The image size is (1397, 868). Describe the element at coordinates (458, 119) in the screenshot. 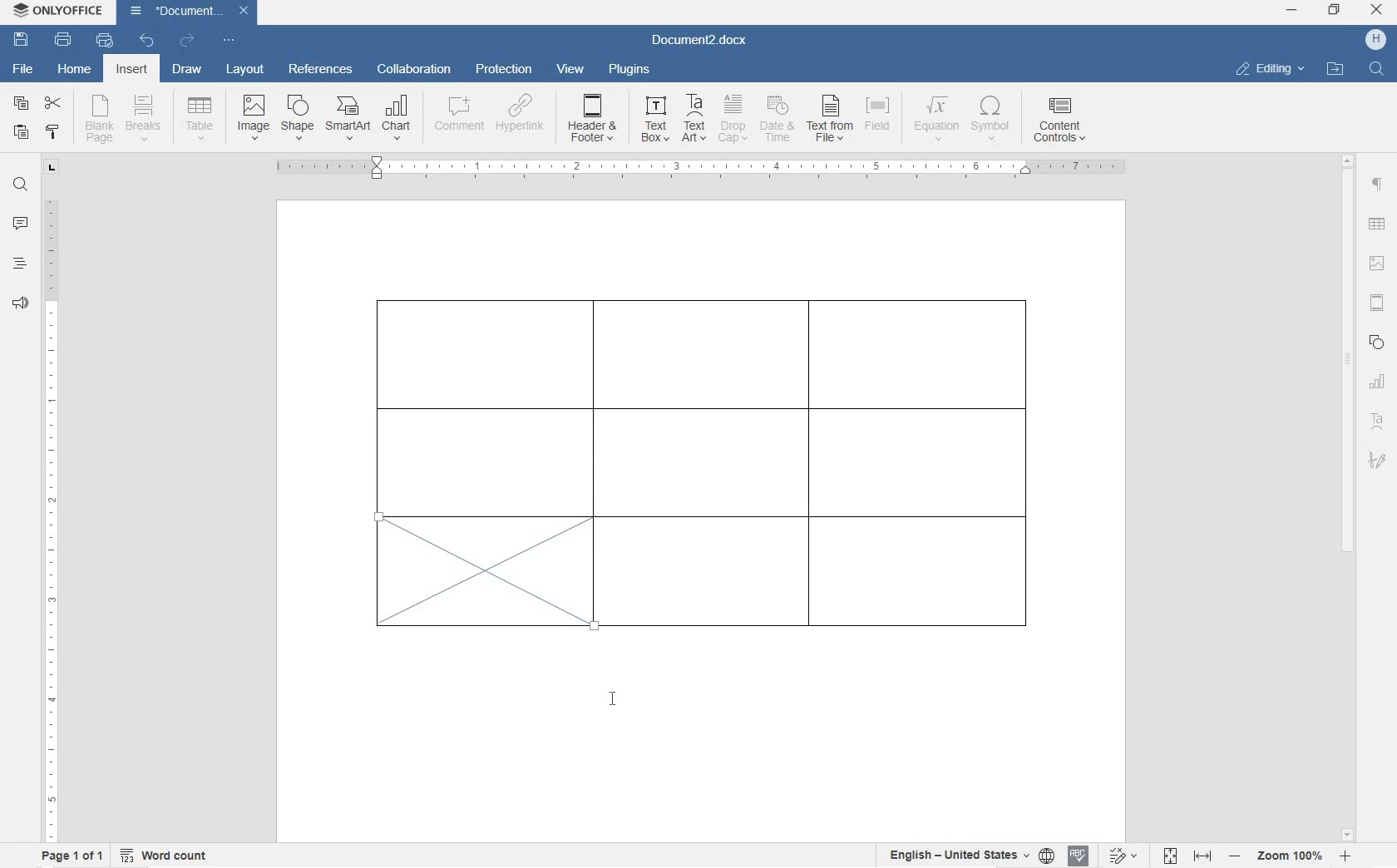

I see `COMMENT` at that location.